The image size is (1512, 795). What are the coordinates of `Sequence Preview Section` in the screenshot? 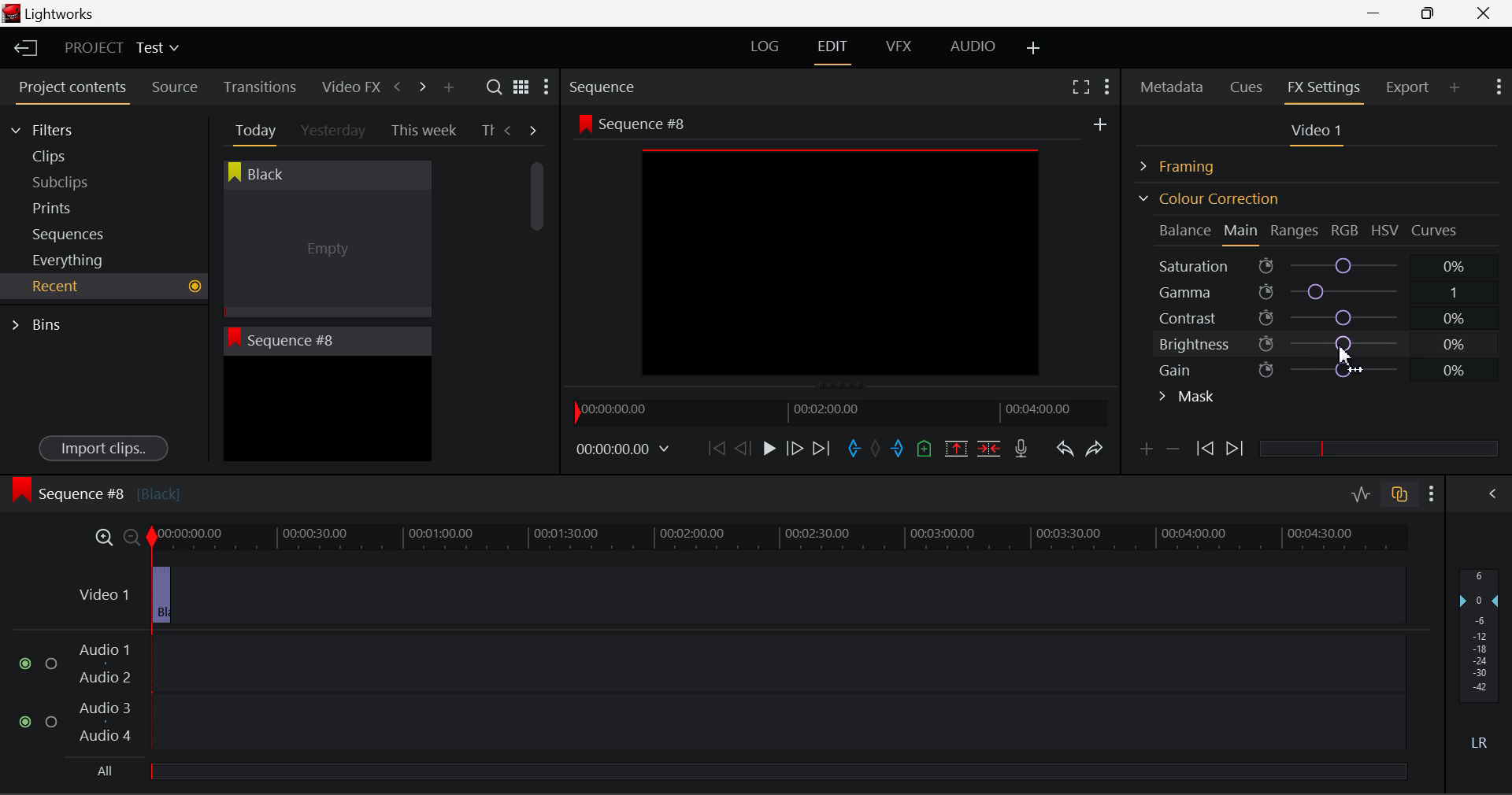 It's located at (606, 88).